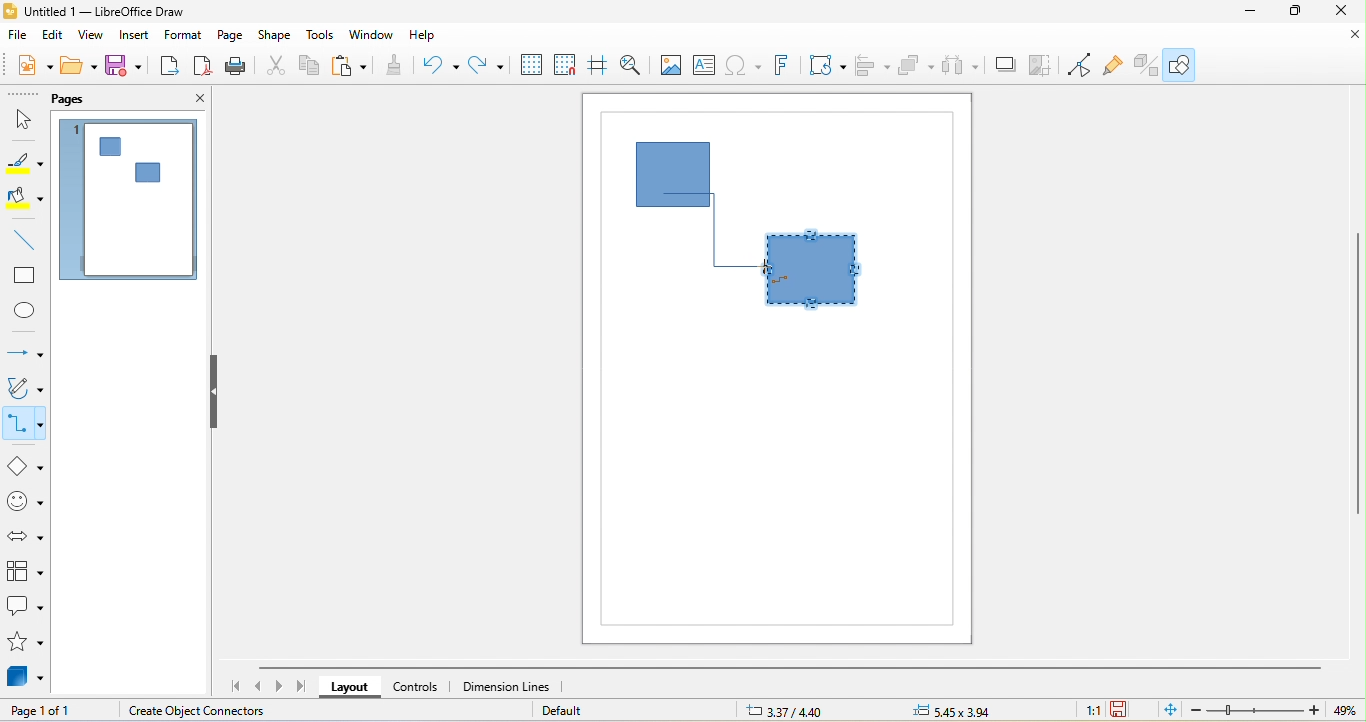 The image size is (1366, 722). Describe the element at coordinates (129, 202) in the screenshot. I see `page 1` at that location.